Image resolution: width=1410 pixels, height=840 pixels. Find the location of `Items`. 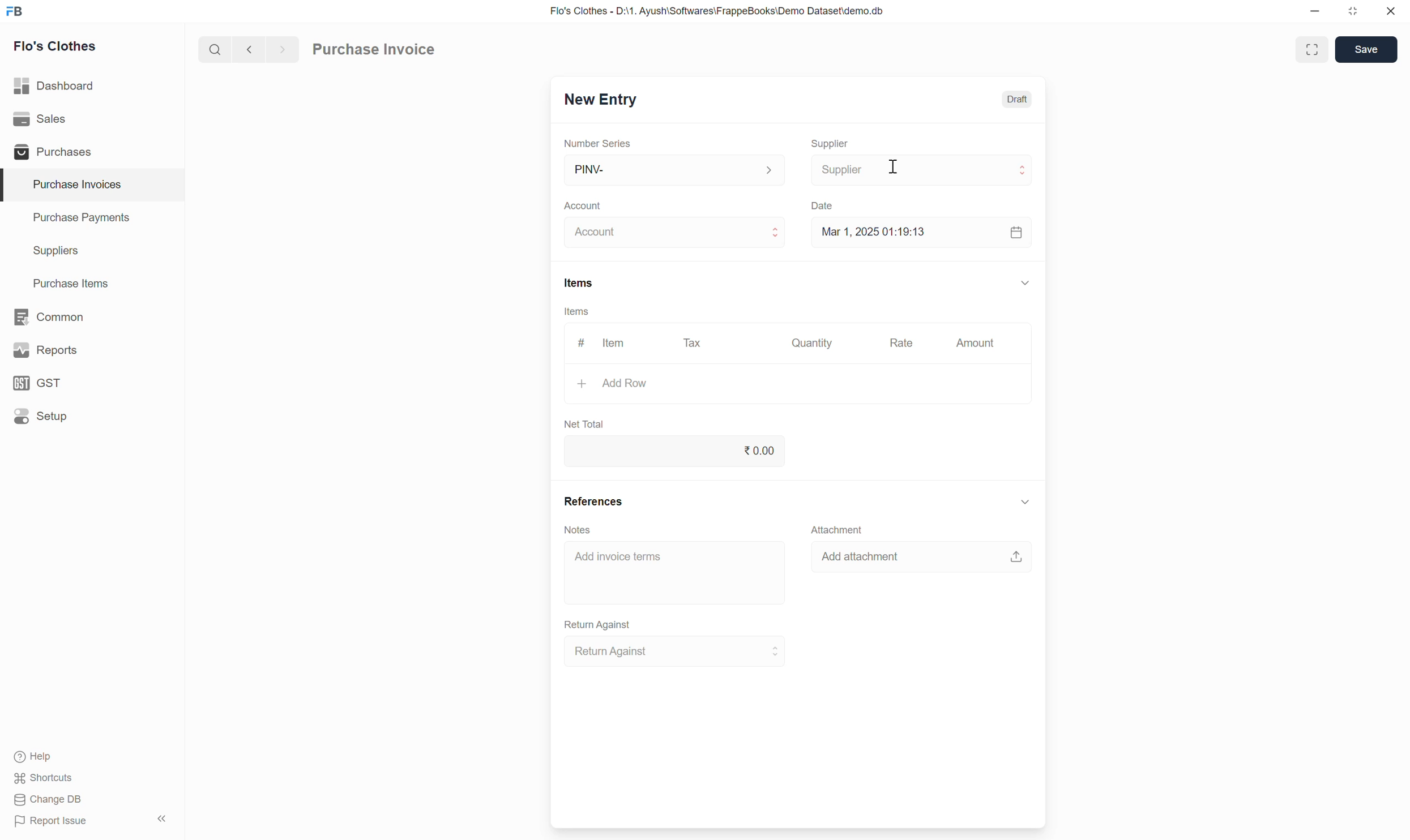

Items is located at coordinates (578, 283).